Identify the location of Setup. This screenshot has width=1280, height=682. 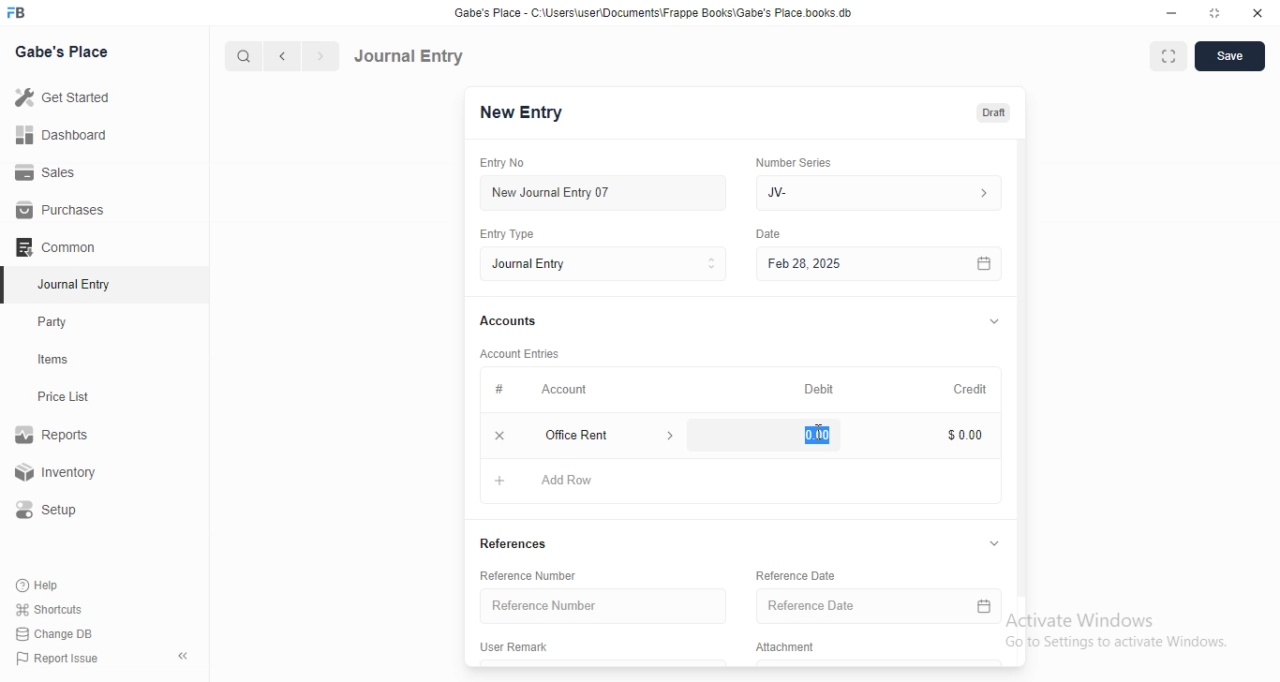
(54, 510).